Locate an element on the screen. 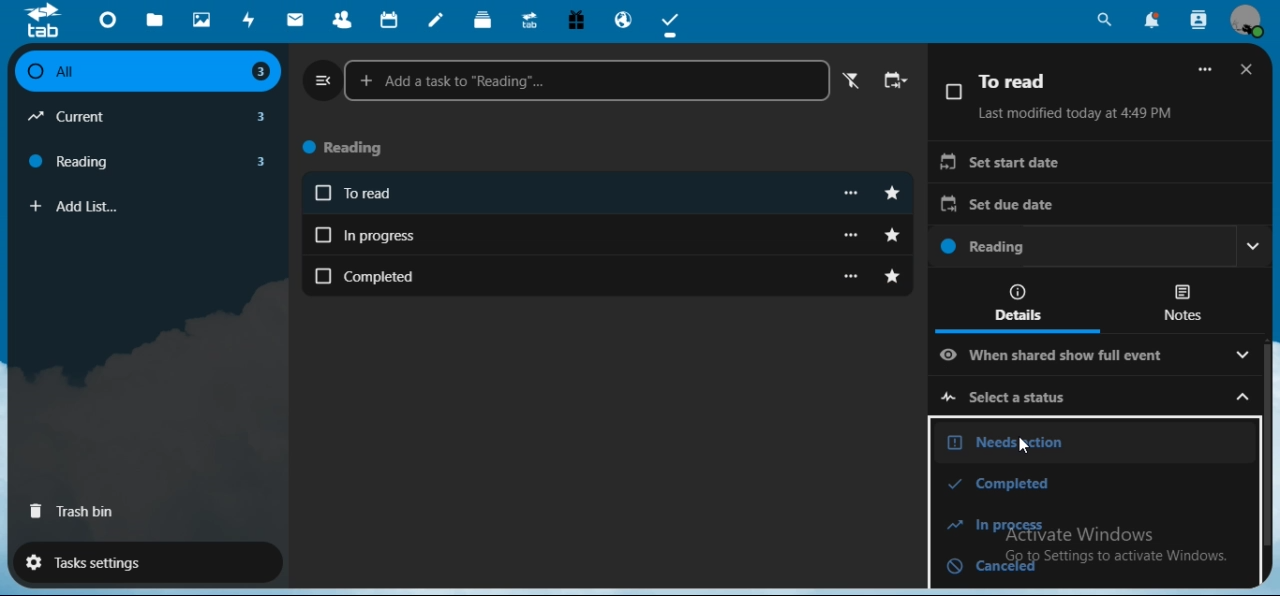 Image resolution: width=1280 pixels, height=596 pixels. add list is located at coordinates (154, 207).